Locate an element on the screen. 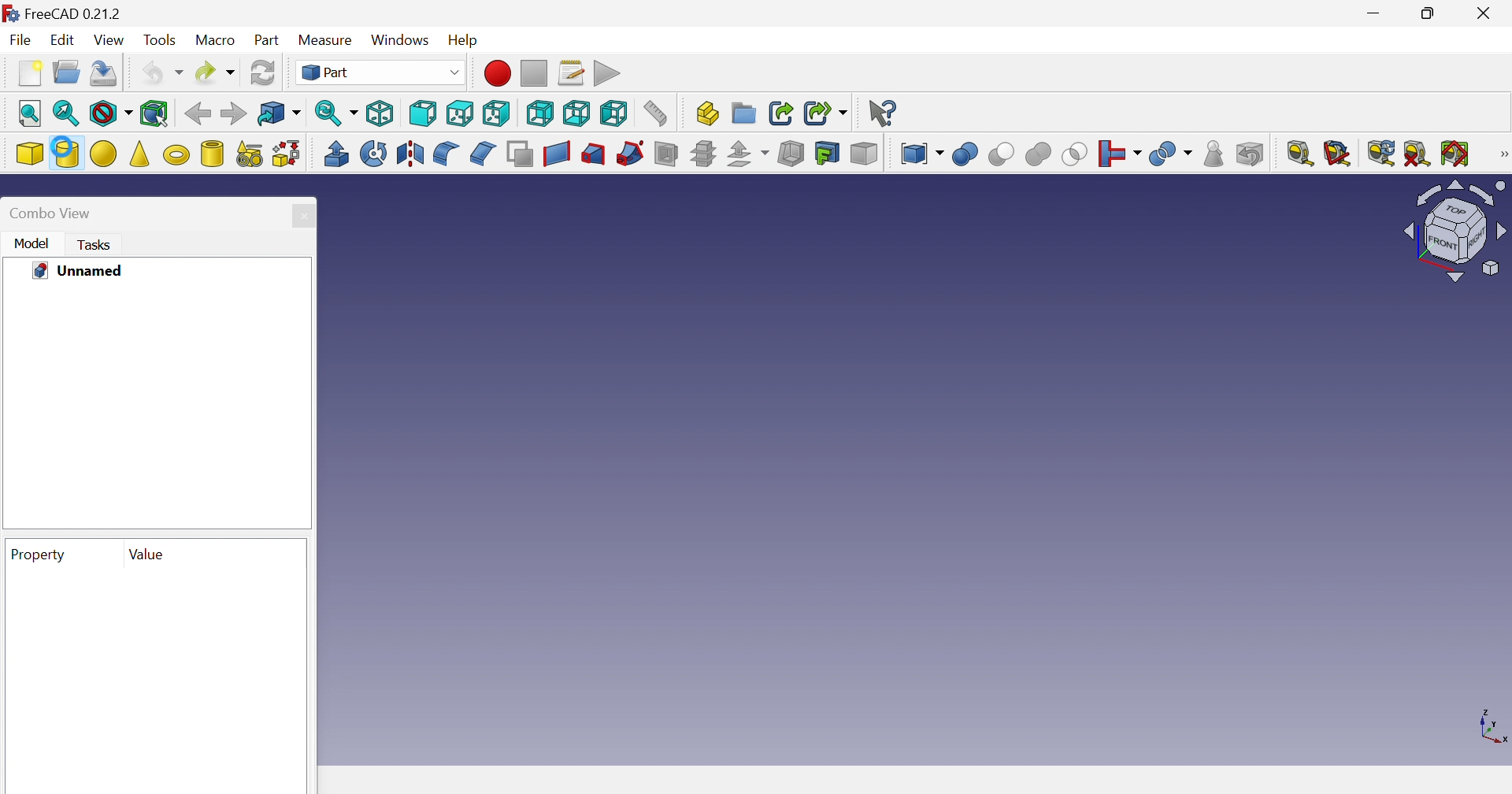 The image size is (1512, 794). Macros is located at coordinates (571, 72).